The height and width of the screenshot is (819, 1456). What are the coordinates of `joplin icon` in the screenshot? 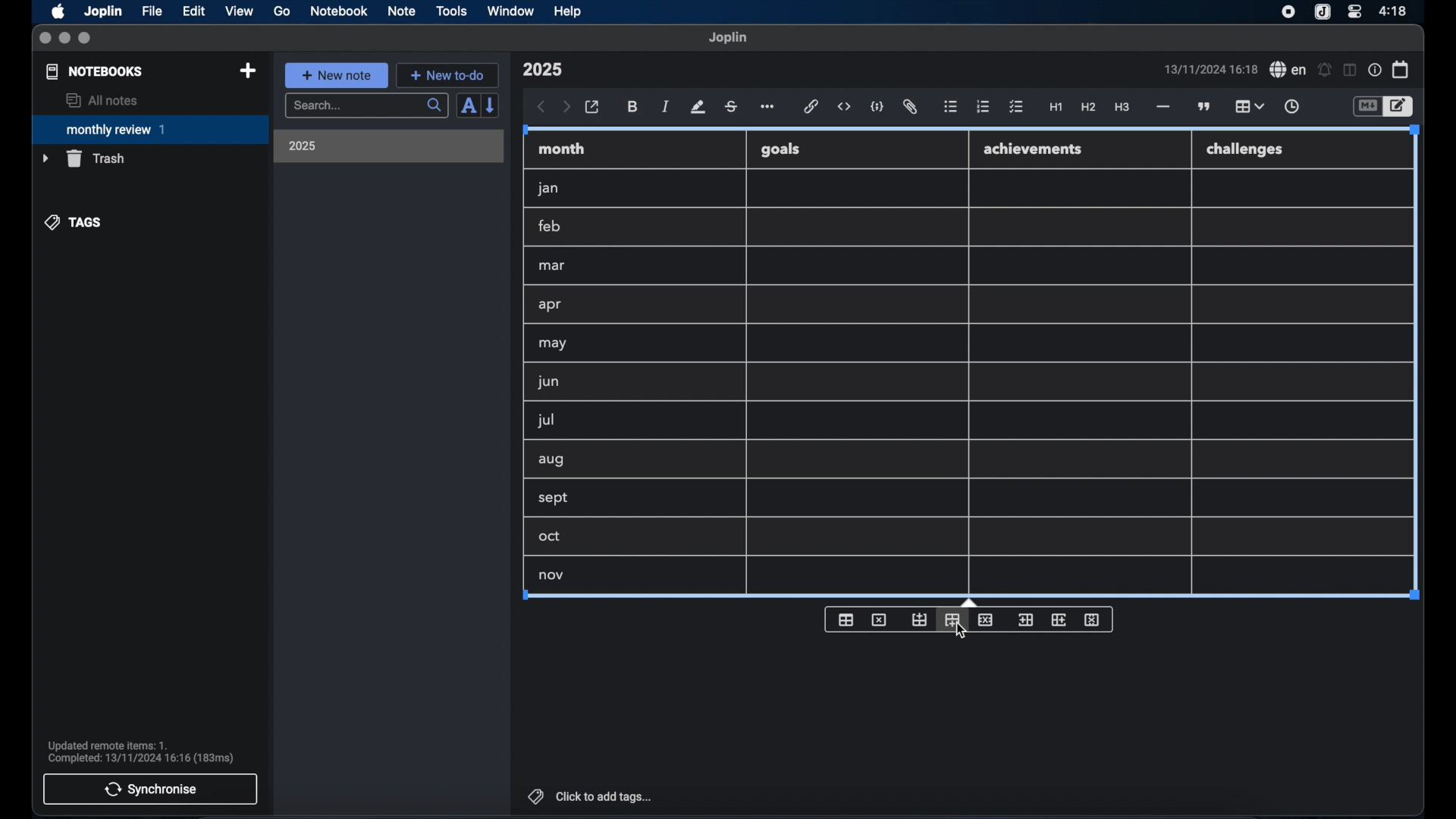 It's located at (1321, 13).